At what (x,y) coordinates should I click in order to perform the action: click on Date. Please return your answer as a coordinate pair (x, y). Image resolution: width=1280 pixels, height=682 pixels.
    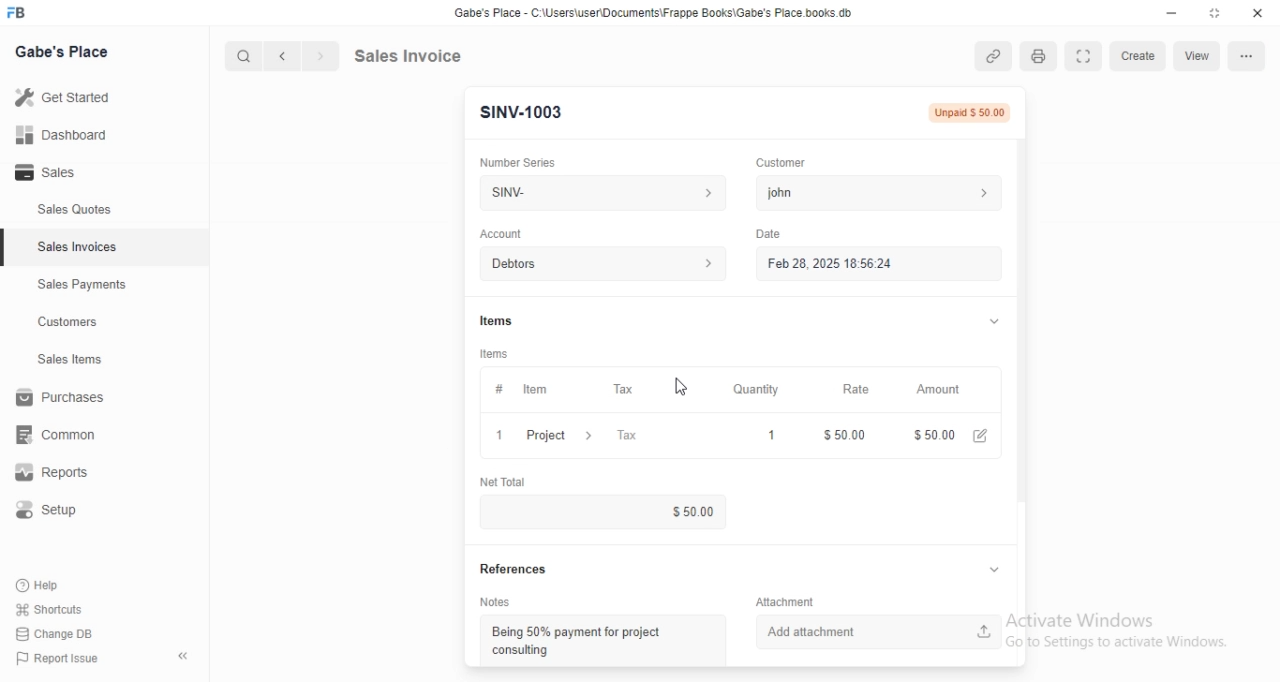
    Looking at the image, I should click on (768, 232).